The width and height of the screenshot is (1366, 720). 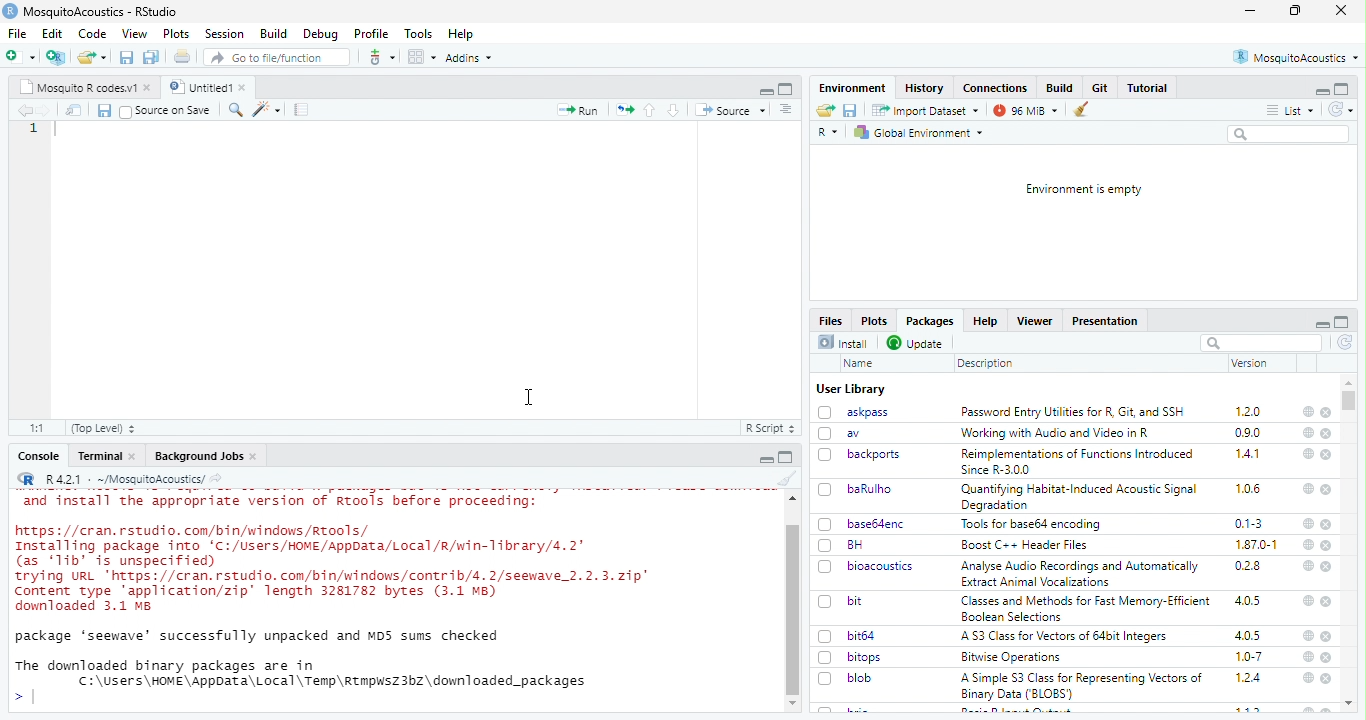 I want to click on bit, so click(x=856, y=601).